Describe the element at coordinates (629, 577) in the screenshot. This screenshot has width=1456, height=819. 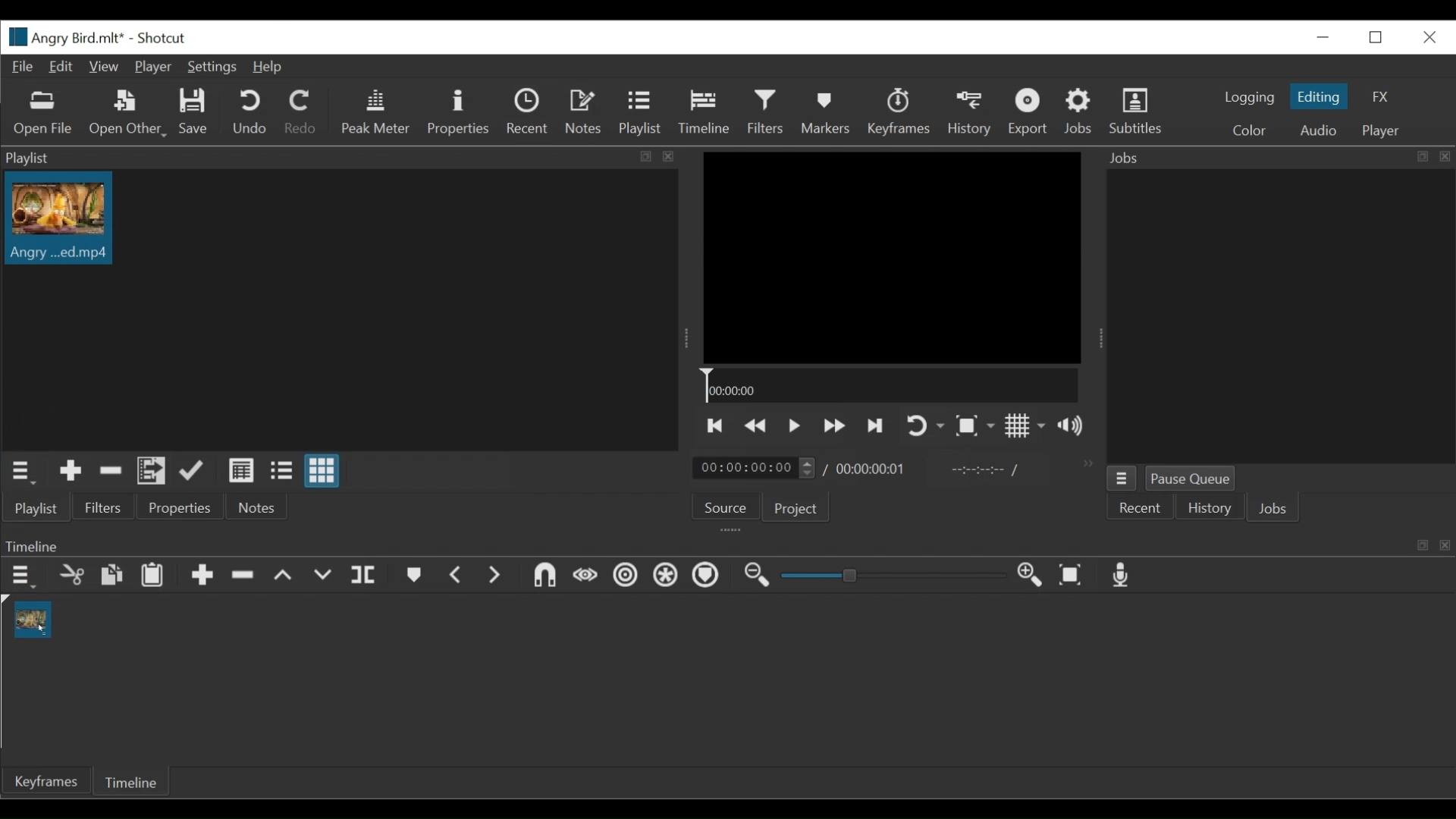
I see `Rippl` at that location.